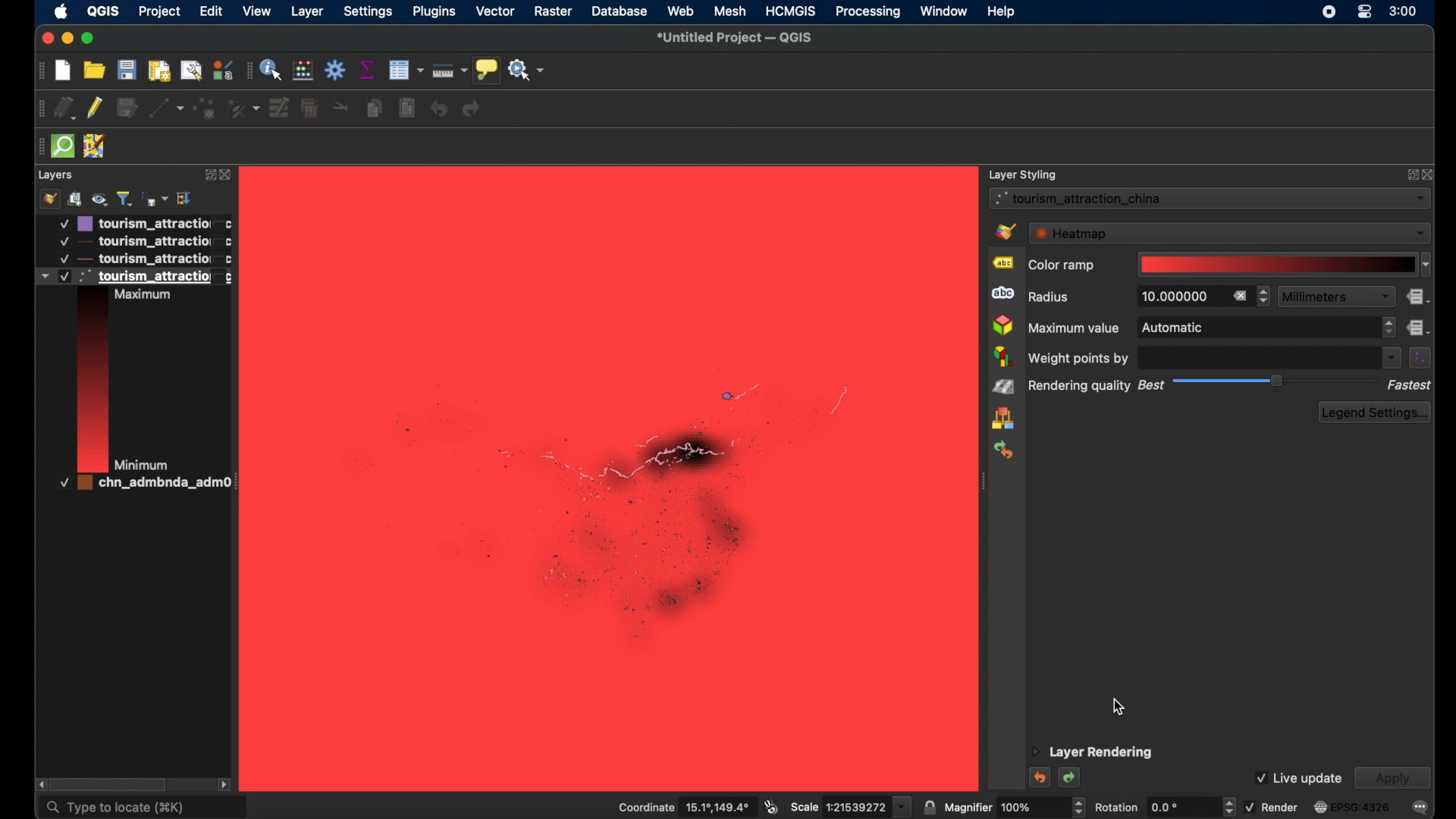 Image resolution: width=1456 pixels, height=819 pixels. I want to click on messages, so click(1421, 808).